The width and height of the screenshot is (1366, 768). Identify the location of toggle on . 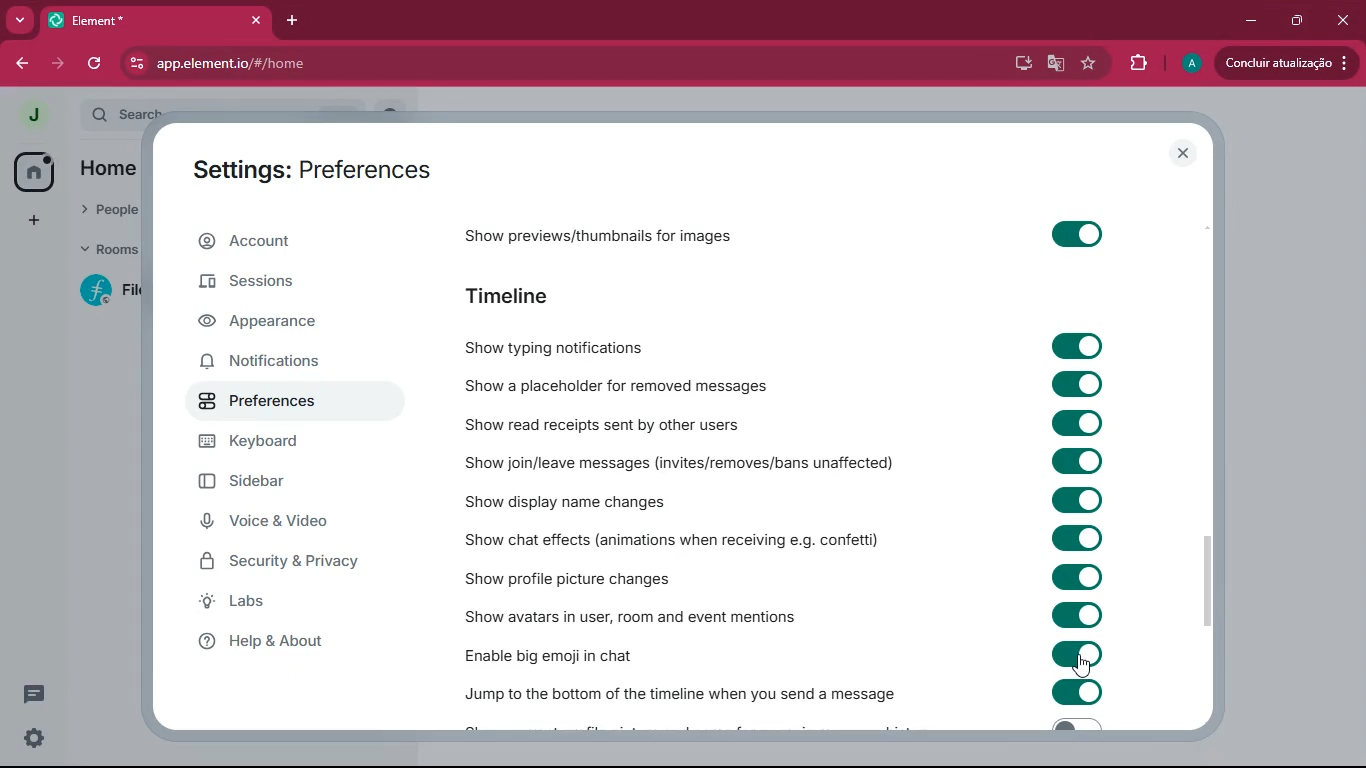
(1076, 385).